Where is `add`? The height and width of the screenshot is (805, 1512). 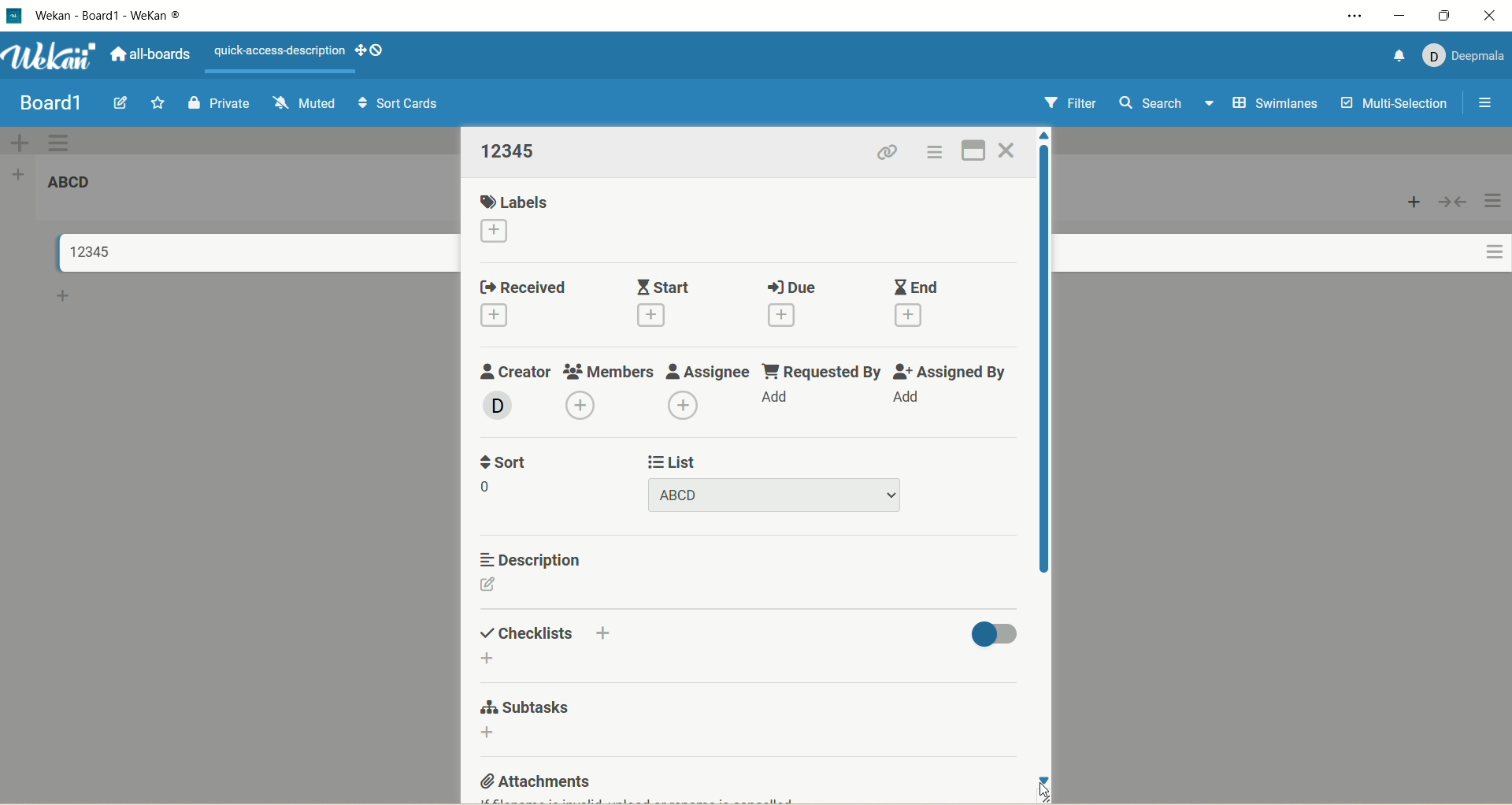 add is located at coordinates (498, 231).